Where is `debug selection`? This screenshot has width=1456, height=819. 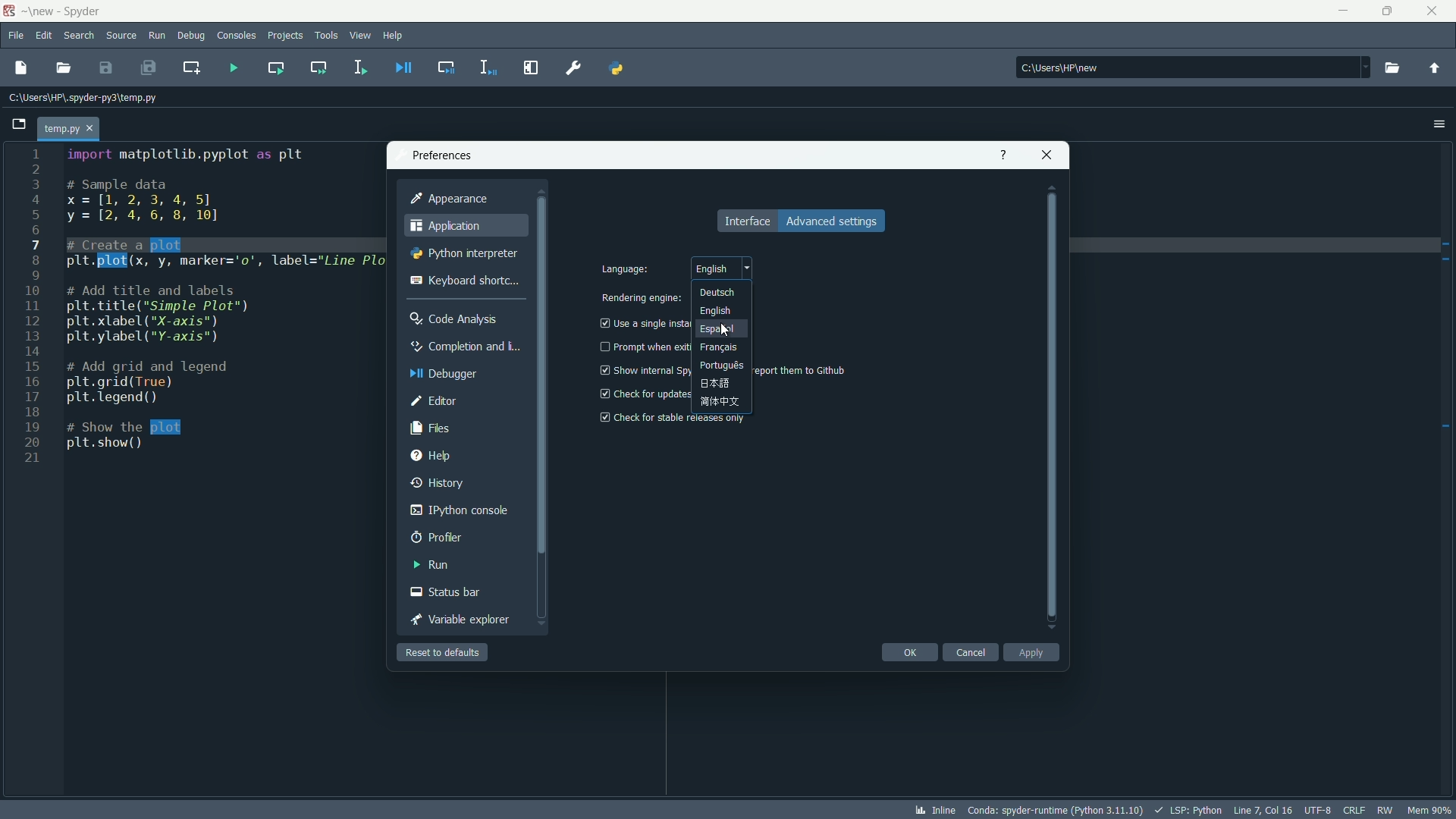 debug selection is located at coordinates (488, 67).